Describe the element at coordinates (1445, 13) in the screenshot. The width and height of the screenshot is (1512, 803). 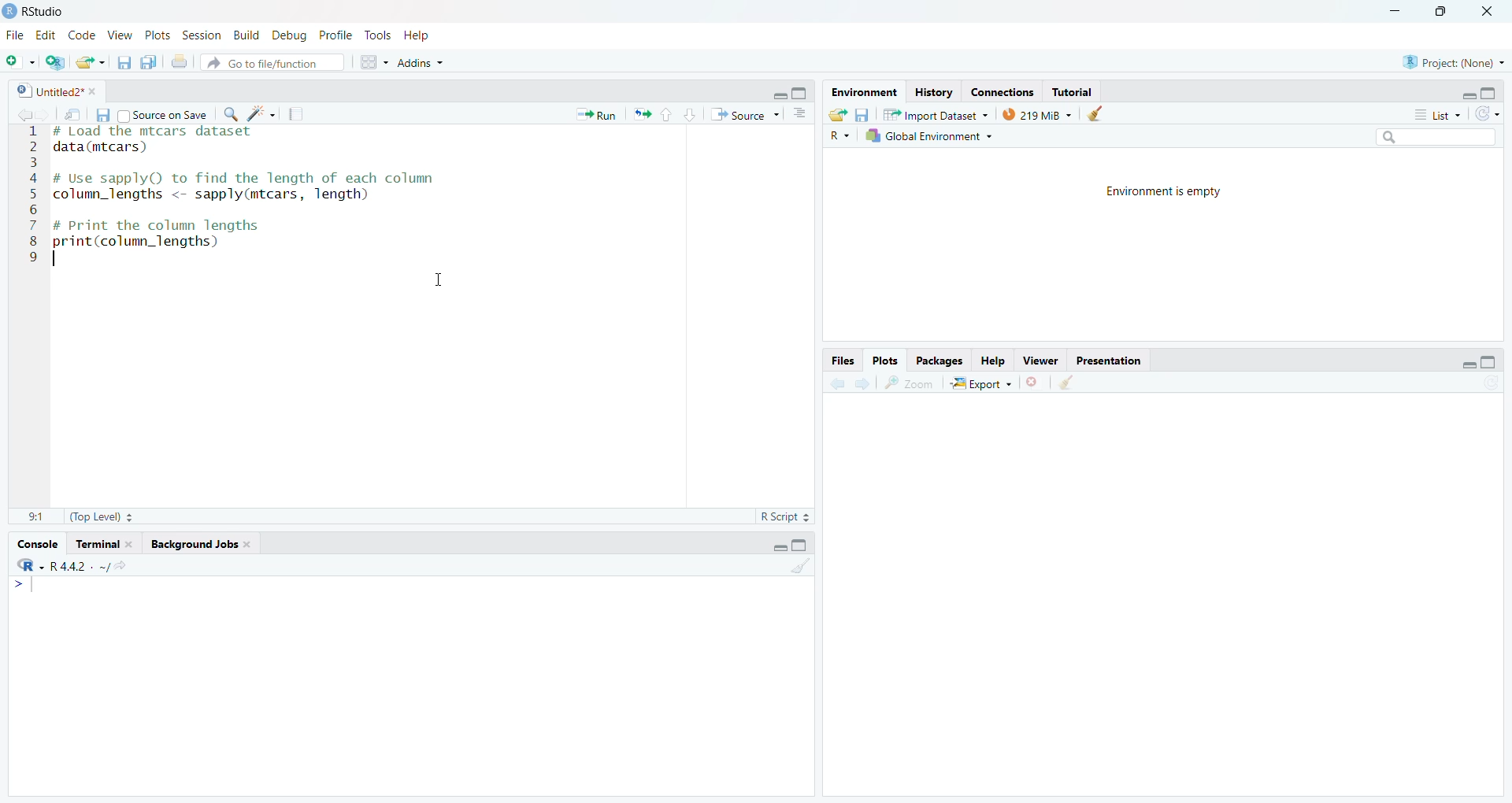
I see `Maximize` at that location.